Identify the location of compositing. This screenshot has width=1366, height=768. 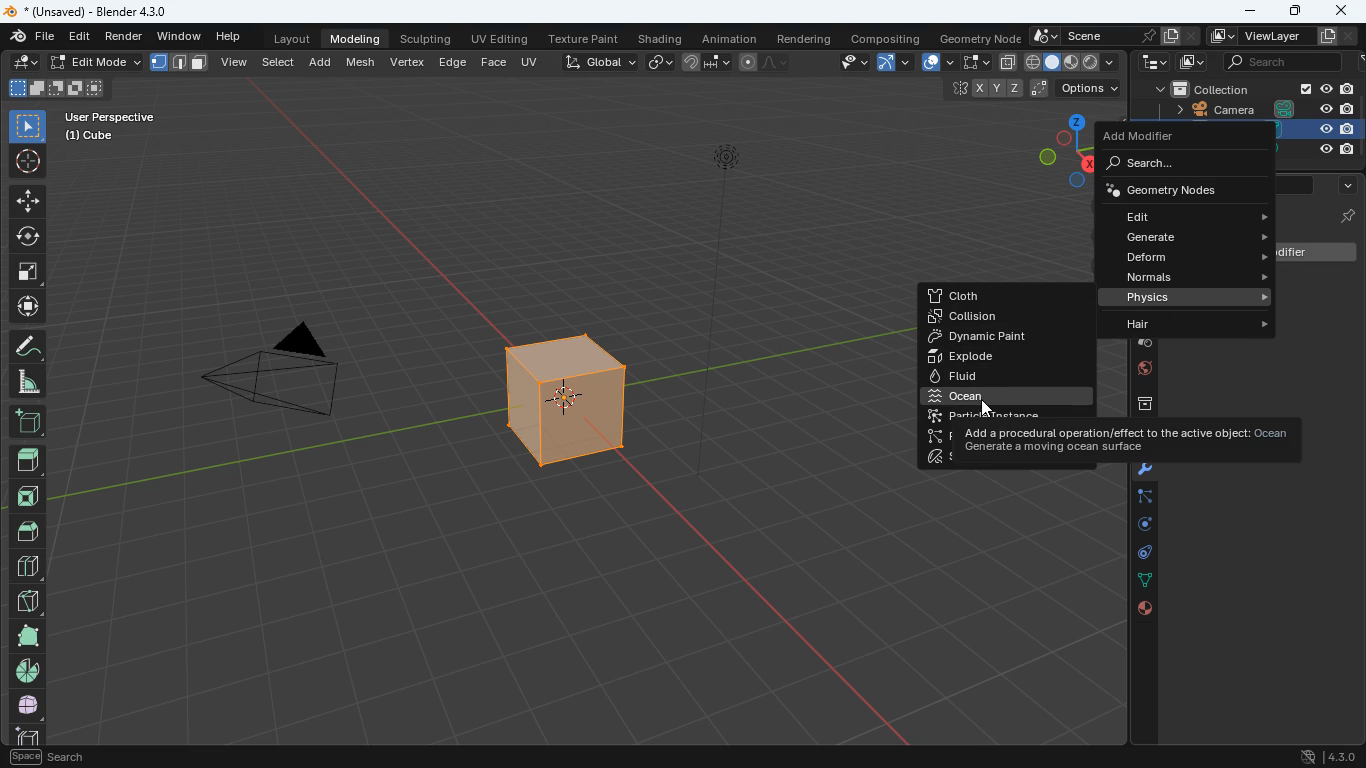
(887, 36).